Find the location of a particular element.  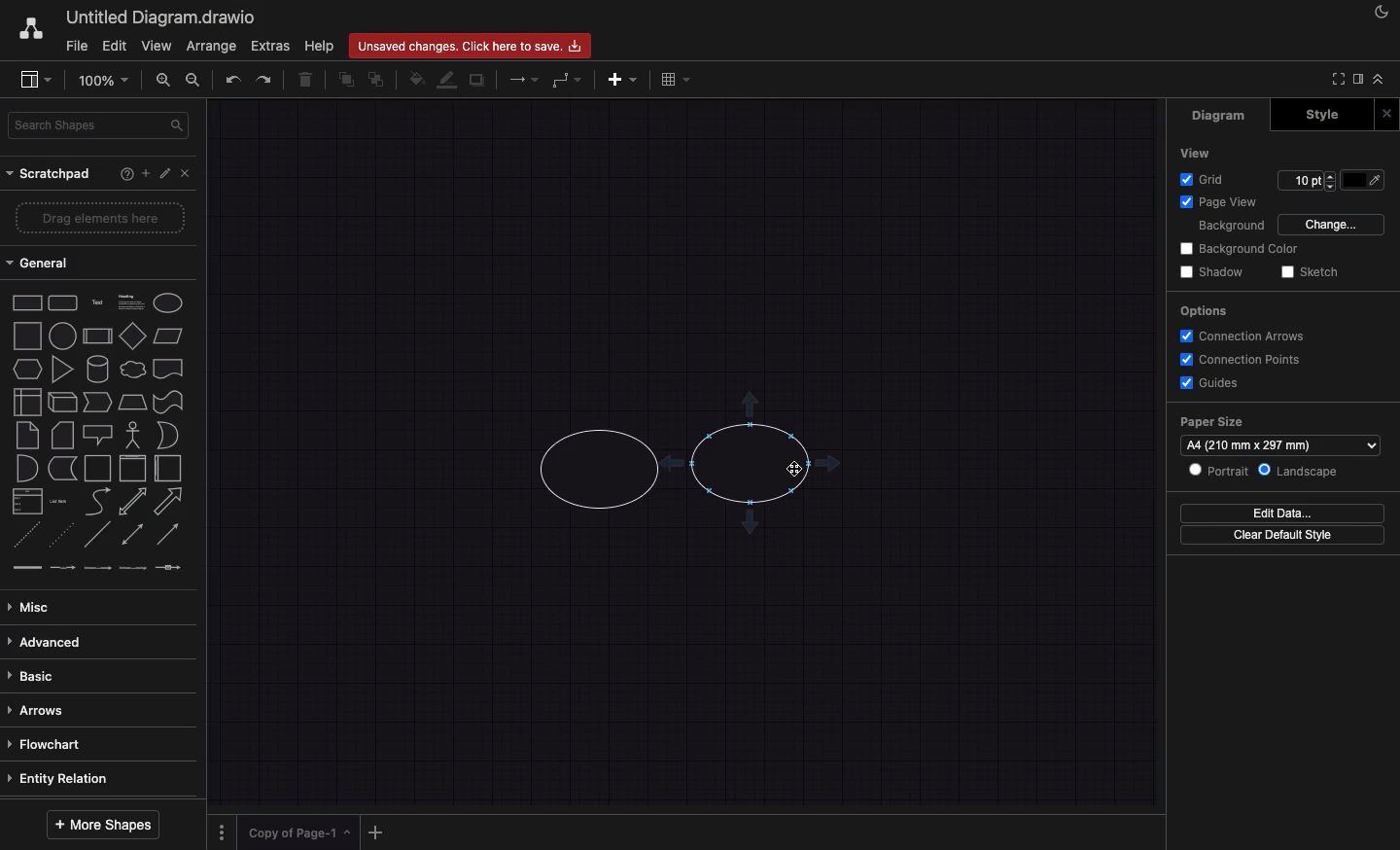

connector with 3 labels is located at coordinates (130, 568).